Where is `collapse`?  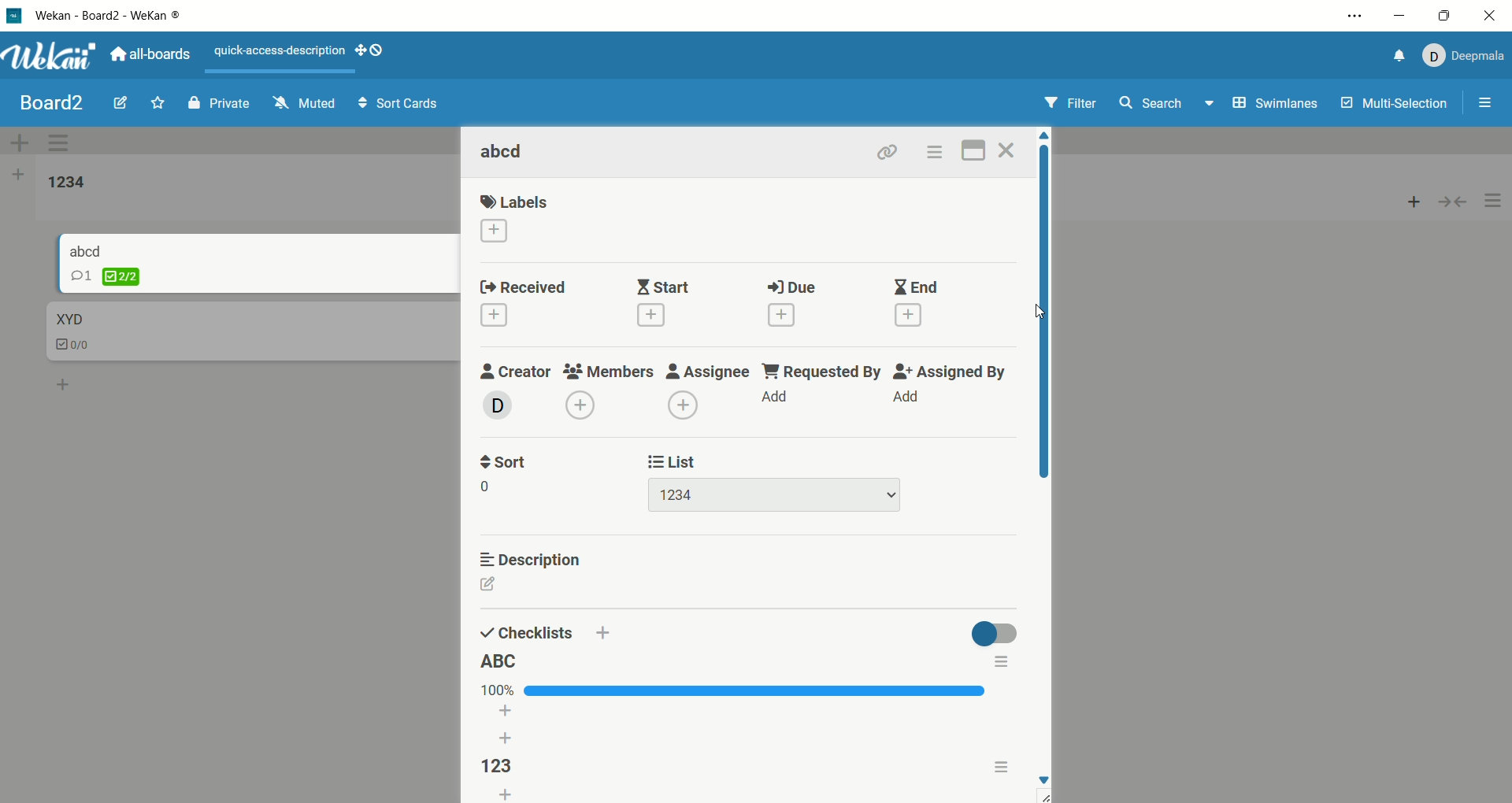
collapse is located at coordinates (1459, 200).